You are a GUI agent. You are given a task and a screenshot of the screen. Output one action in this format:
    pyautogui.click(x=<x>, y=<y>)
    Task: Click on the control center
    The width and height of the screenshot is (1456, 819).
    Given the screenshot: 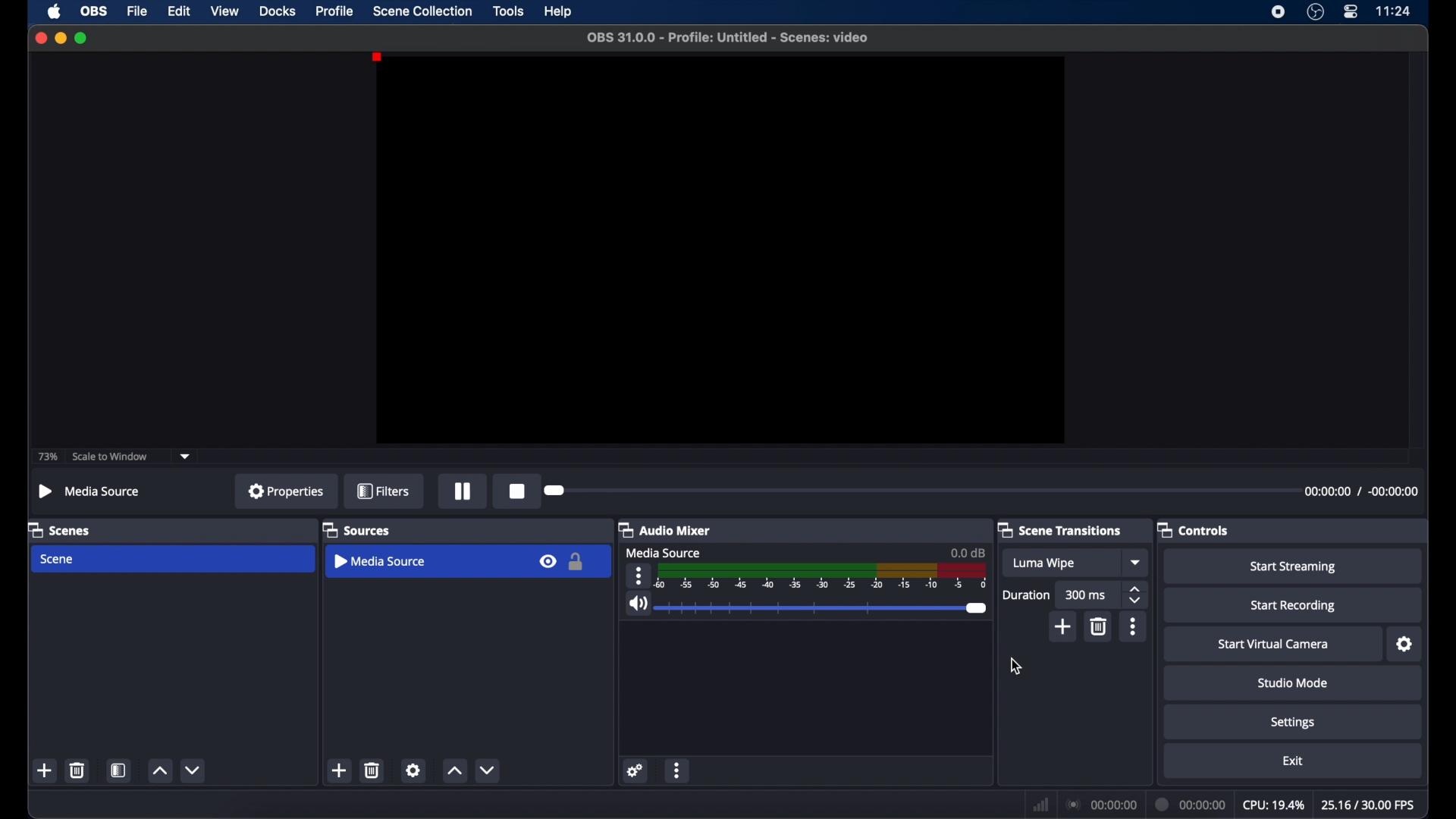 What is the action you would take?
    pyautogui.click(x=1350, y=12)
    